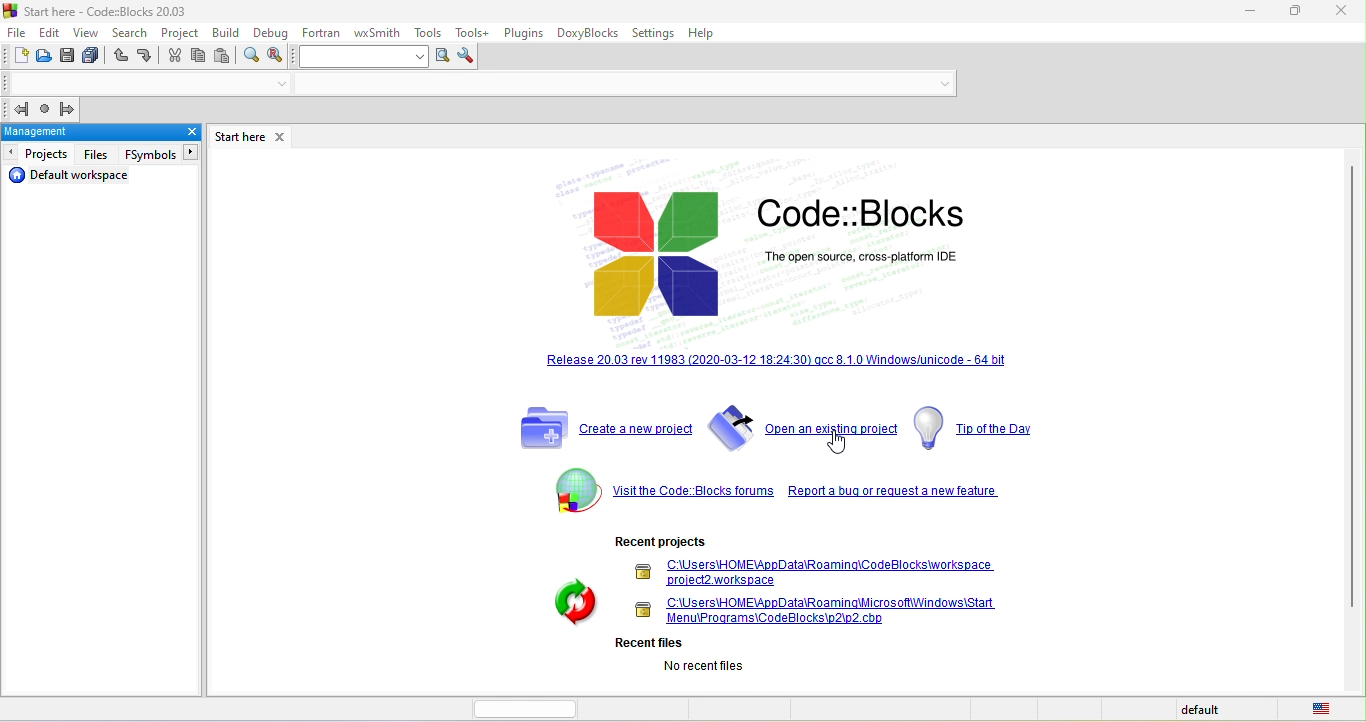 The width and height of the screenshot is (1366, 722). Describe the element at coordinates (98, 11) in the screenshot. I see `title` at that location.